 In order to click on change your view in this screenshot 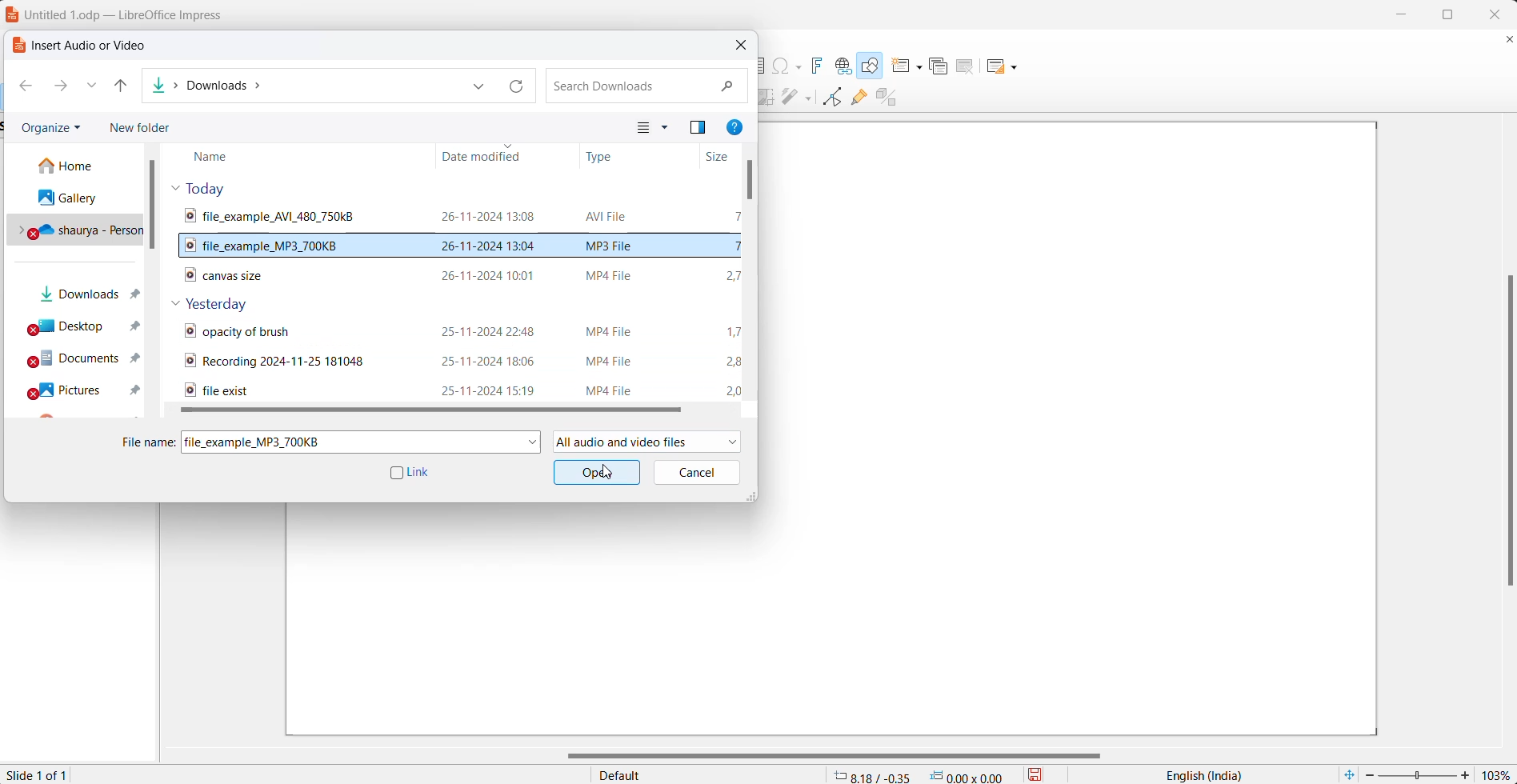, I will do `click(641, 129)`.